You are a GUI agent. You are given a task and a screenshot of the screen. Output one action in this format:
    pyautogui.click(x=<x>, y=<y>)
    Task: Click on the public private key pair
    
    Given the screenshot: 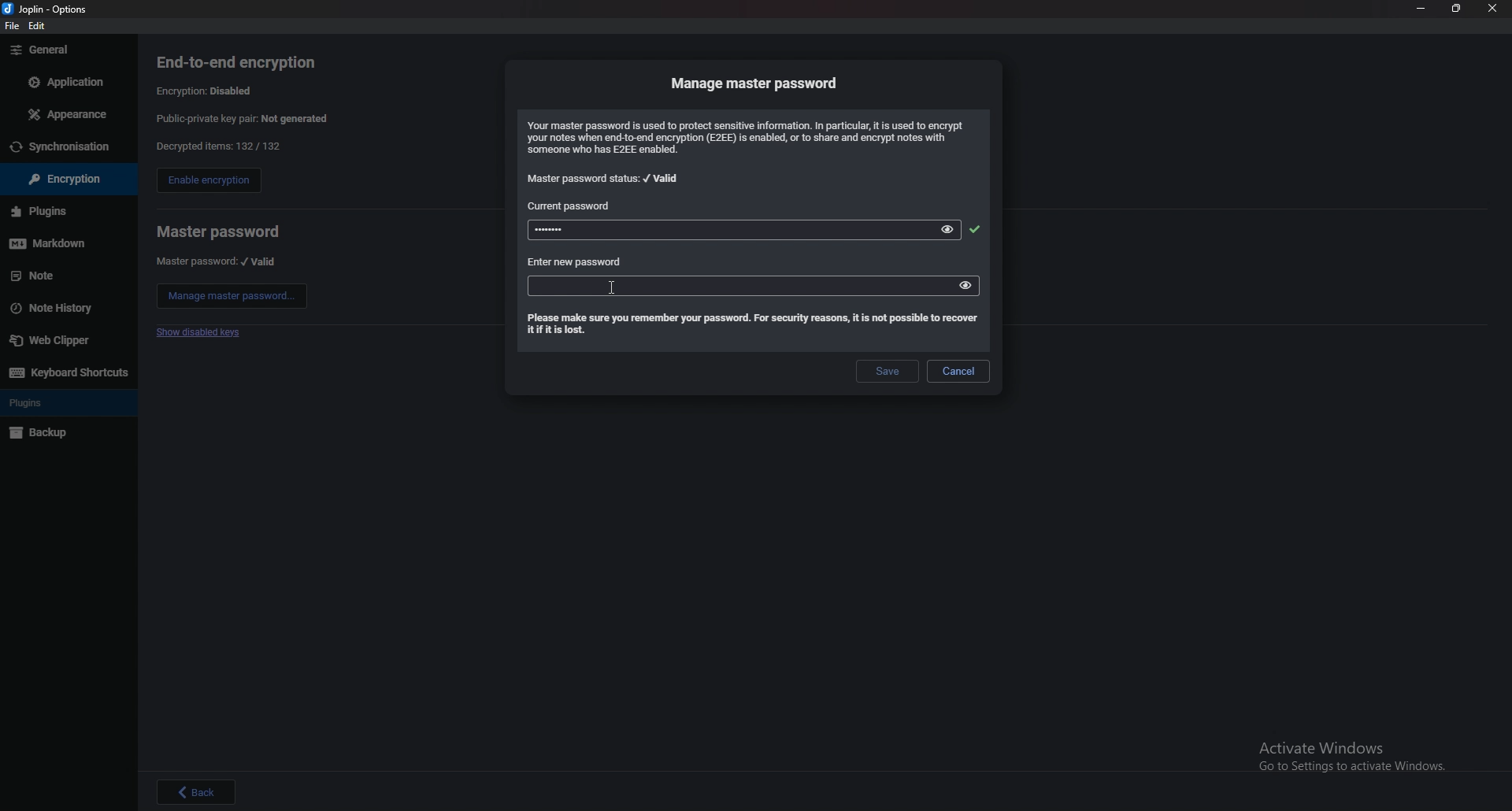 What is the action you would take?
    pyautogui.click(x=254, y=118)
    